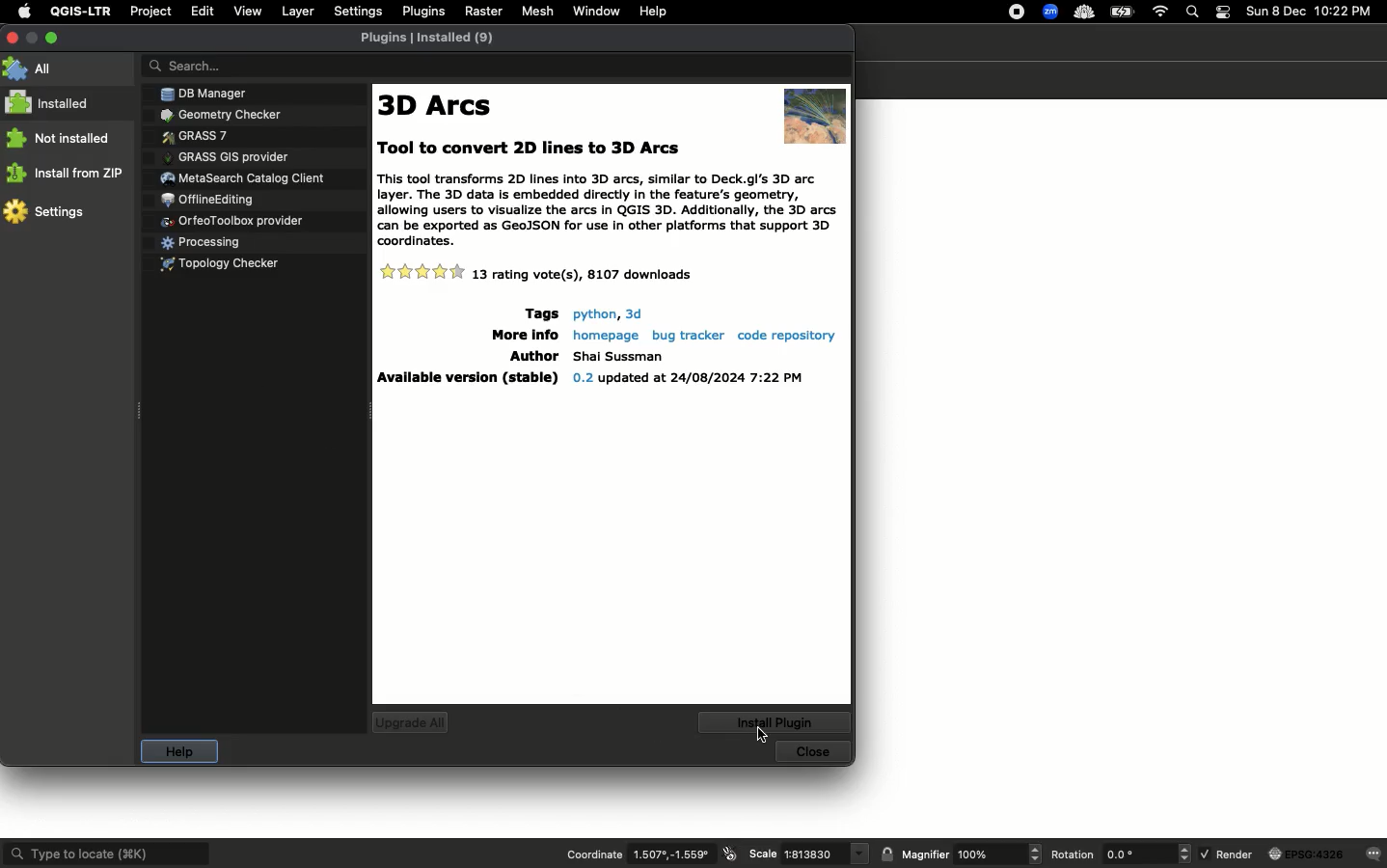 Image resolution: width=1387 pixels, height=868 pixels. I want to click on Plugins, so click(235, 176).